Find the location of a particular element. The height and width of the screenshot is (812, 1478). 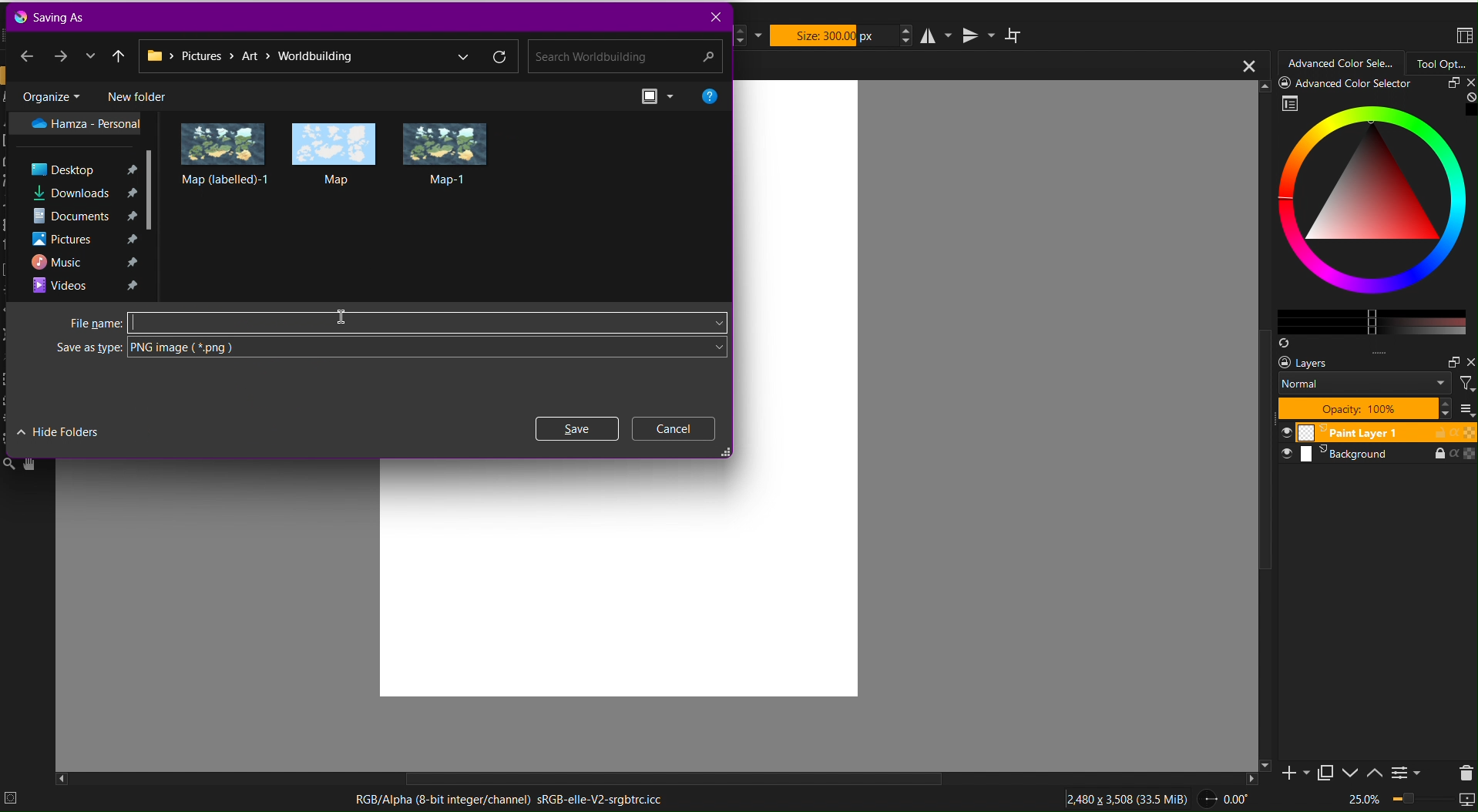

Up is located at coordinates (119, 55).